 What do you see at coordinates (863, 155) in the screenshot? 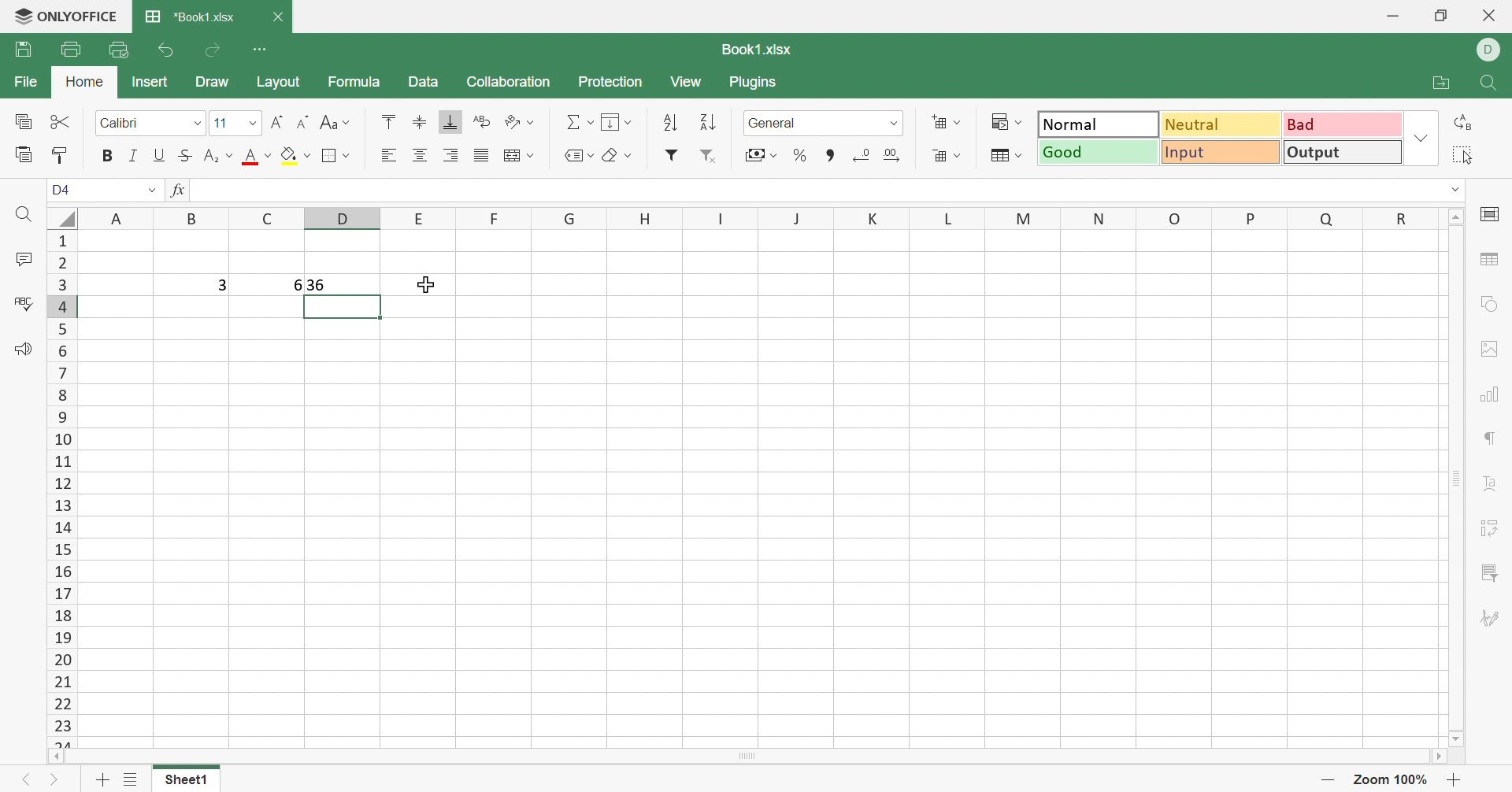
I see `Decrease decimal` at bounding box center [863, 155].